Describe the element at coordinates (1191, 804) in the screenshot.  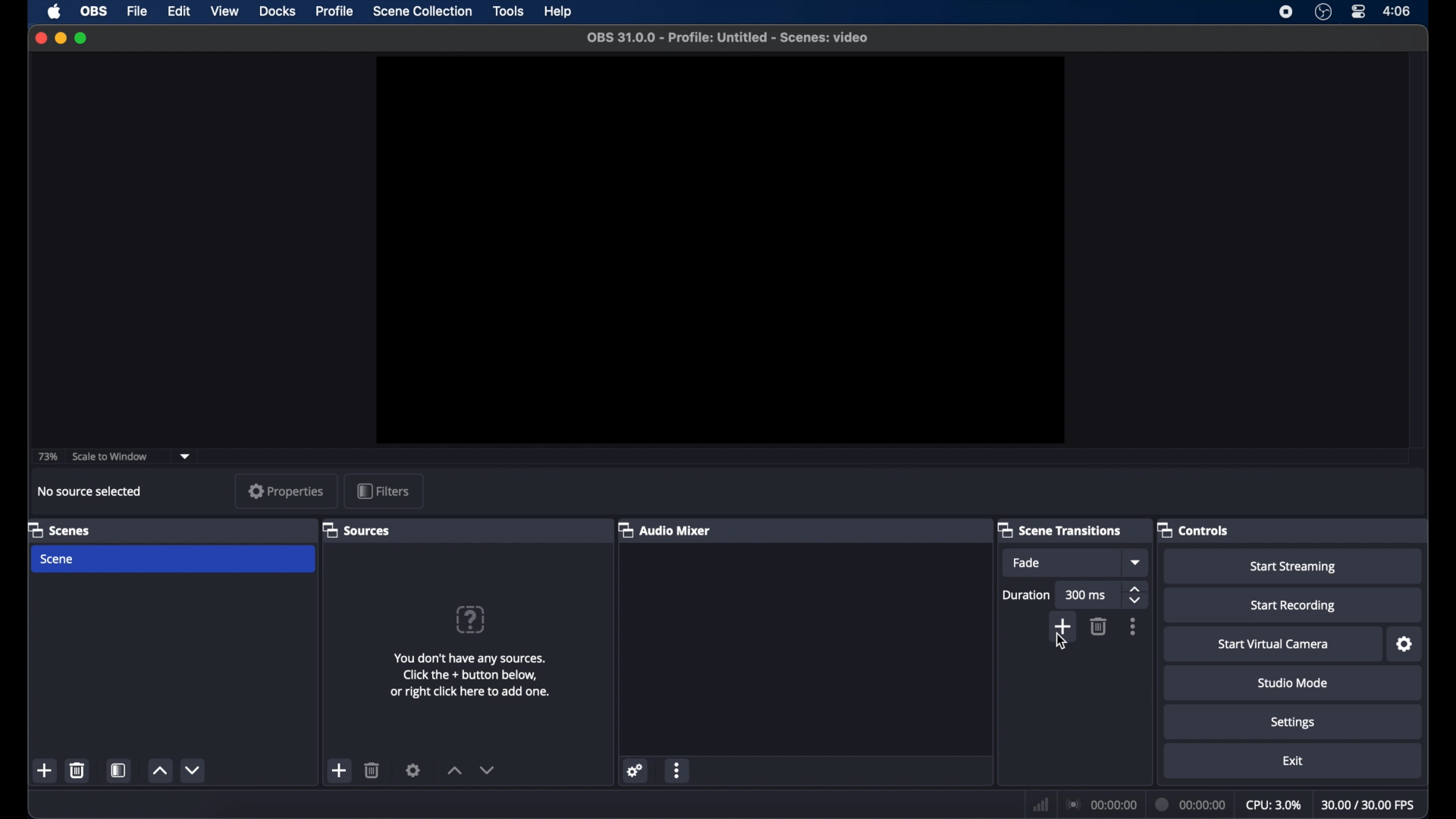
I see `duration` at that location.